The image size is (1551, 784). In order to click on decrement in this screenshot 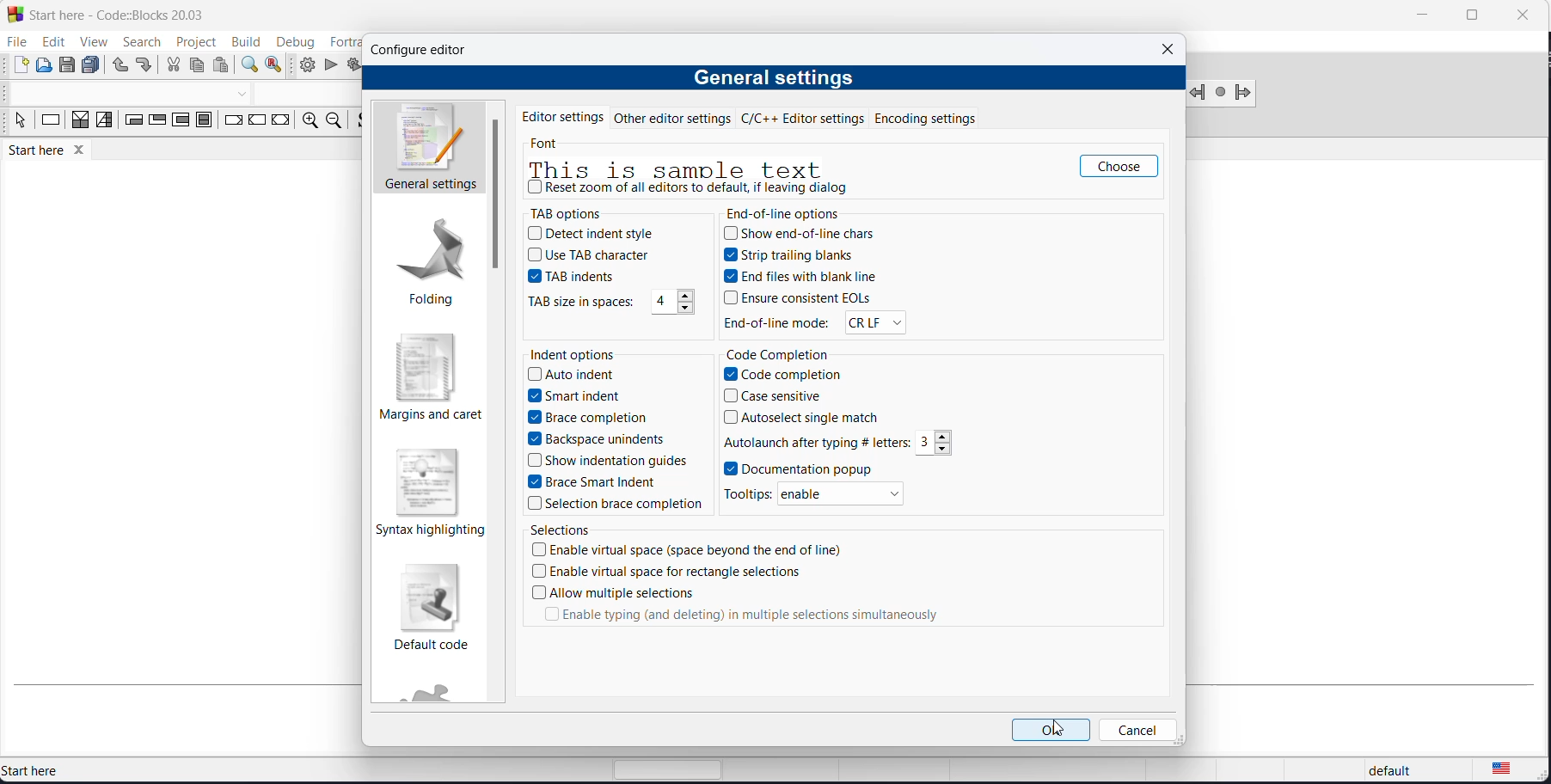, I will do `click(685, 311)`.